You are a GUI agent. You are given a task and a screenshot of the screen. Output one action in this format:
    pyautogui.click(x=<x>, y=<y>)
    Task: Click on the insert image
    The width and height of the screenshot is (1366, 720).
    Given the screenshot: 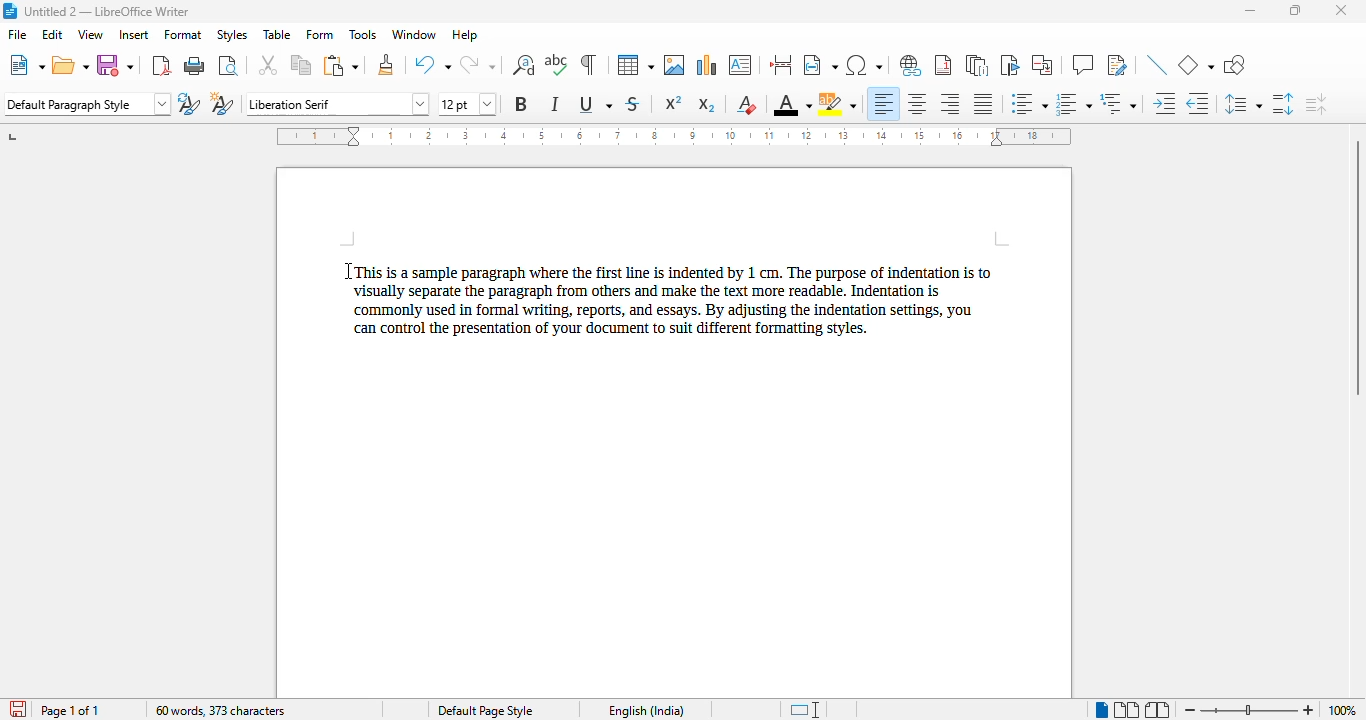 What is the action you would take?
    pyautogui.click(x=674, y=65)
    